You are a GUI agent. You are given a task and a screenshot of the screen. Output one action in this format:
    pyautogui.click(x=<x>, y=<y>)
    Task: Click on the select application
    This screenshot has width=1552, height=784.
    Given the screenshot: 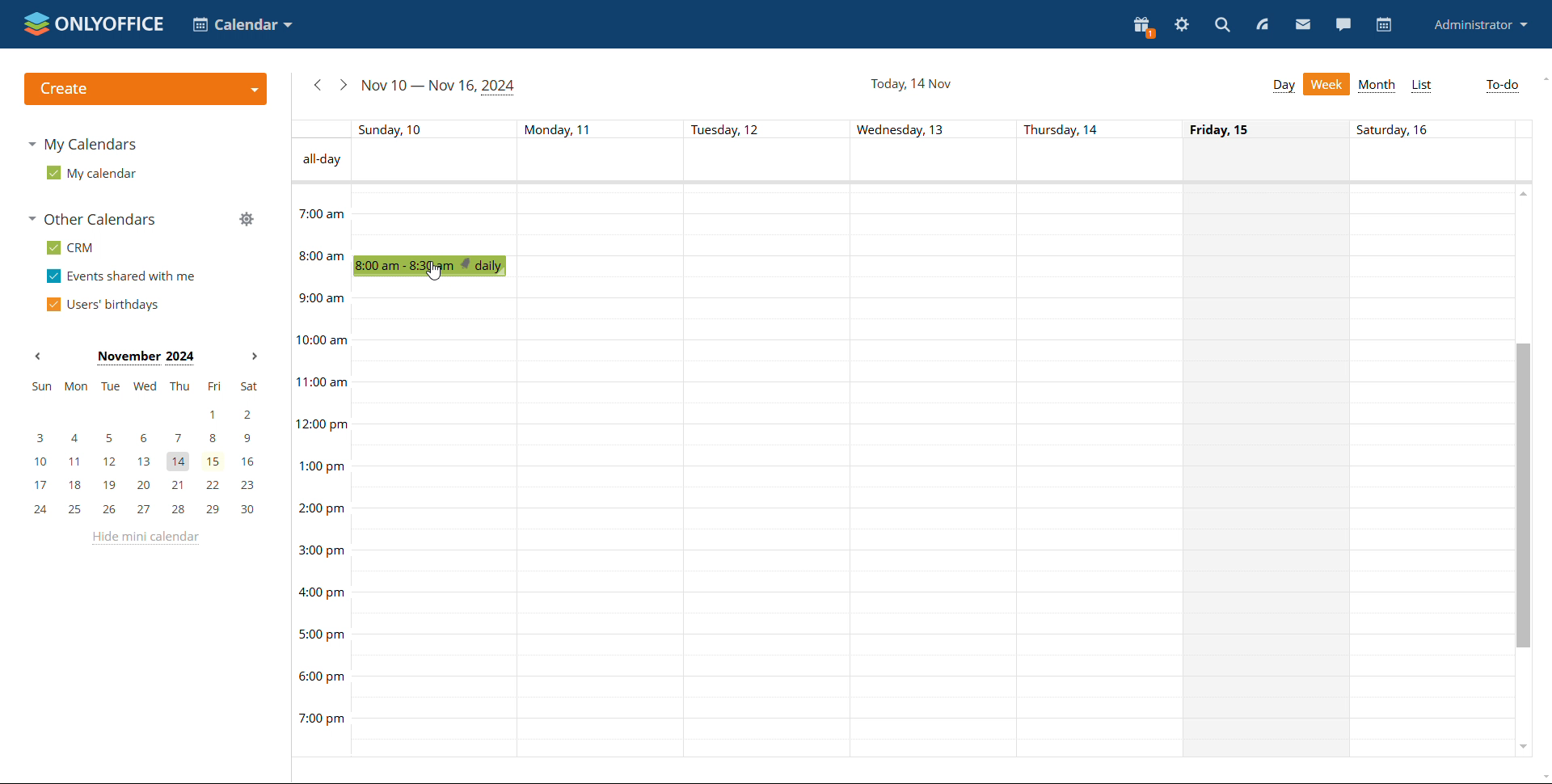 What is the action you would take?
    pyautogui.click(x=242, y=24)
    